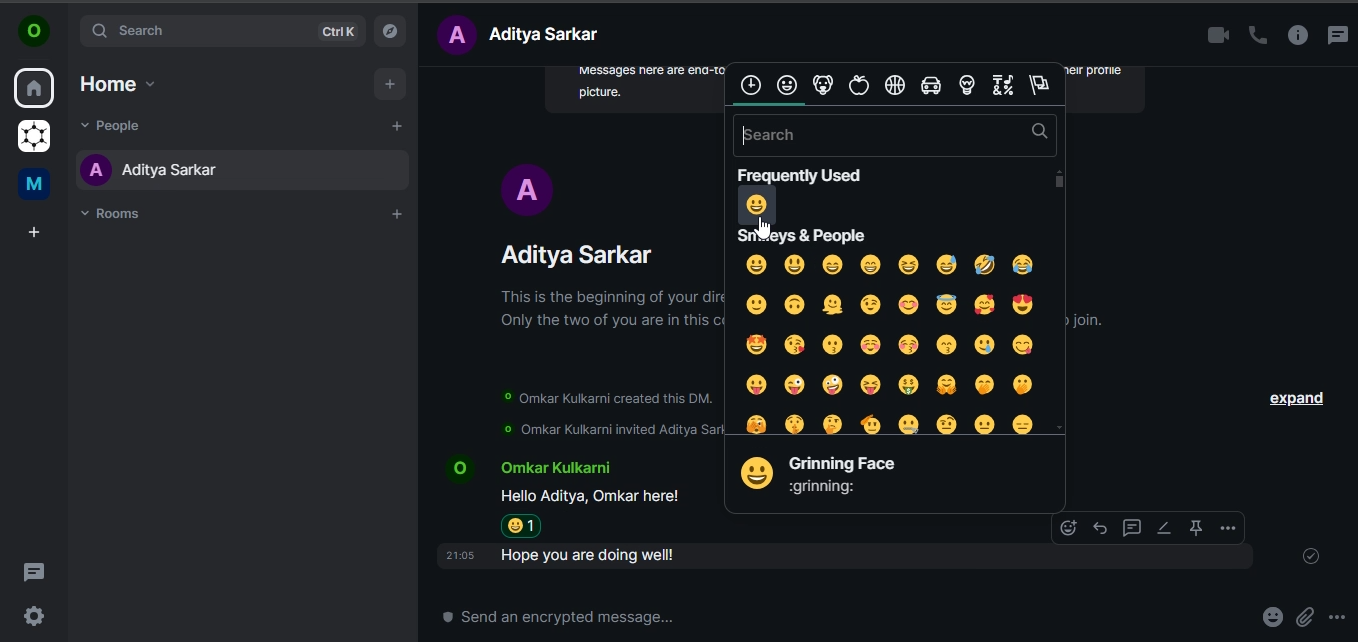 Image resolution: width=1358 pixels, height=642 pixels. I want to click on salutingface, so click(873, 422).